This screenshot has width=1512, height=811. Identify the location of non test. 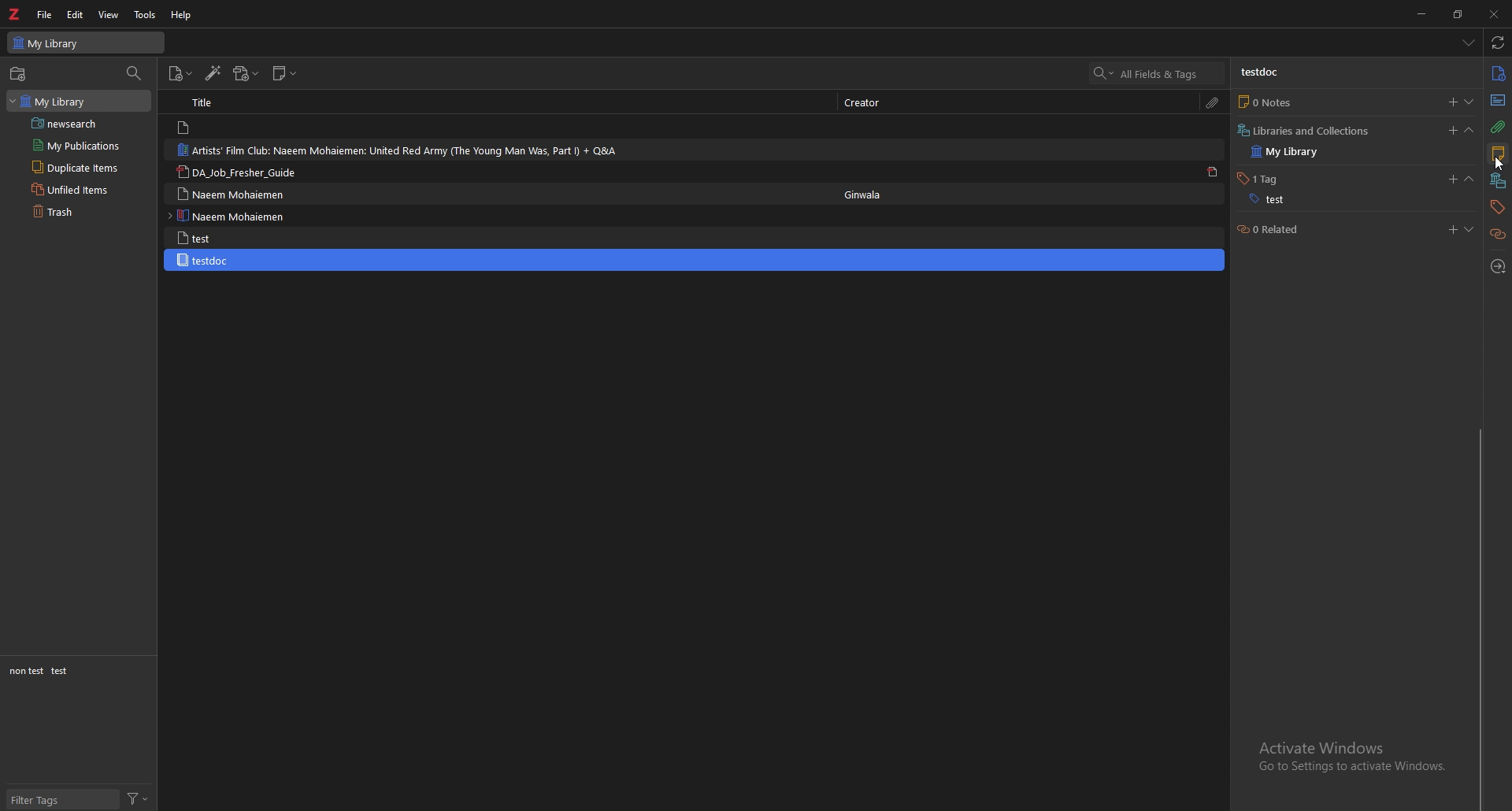
(27, 671).